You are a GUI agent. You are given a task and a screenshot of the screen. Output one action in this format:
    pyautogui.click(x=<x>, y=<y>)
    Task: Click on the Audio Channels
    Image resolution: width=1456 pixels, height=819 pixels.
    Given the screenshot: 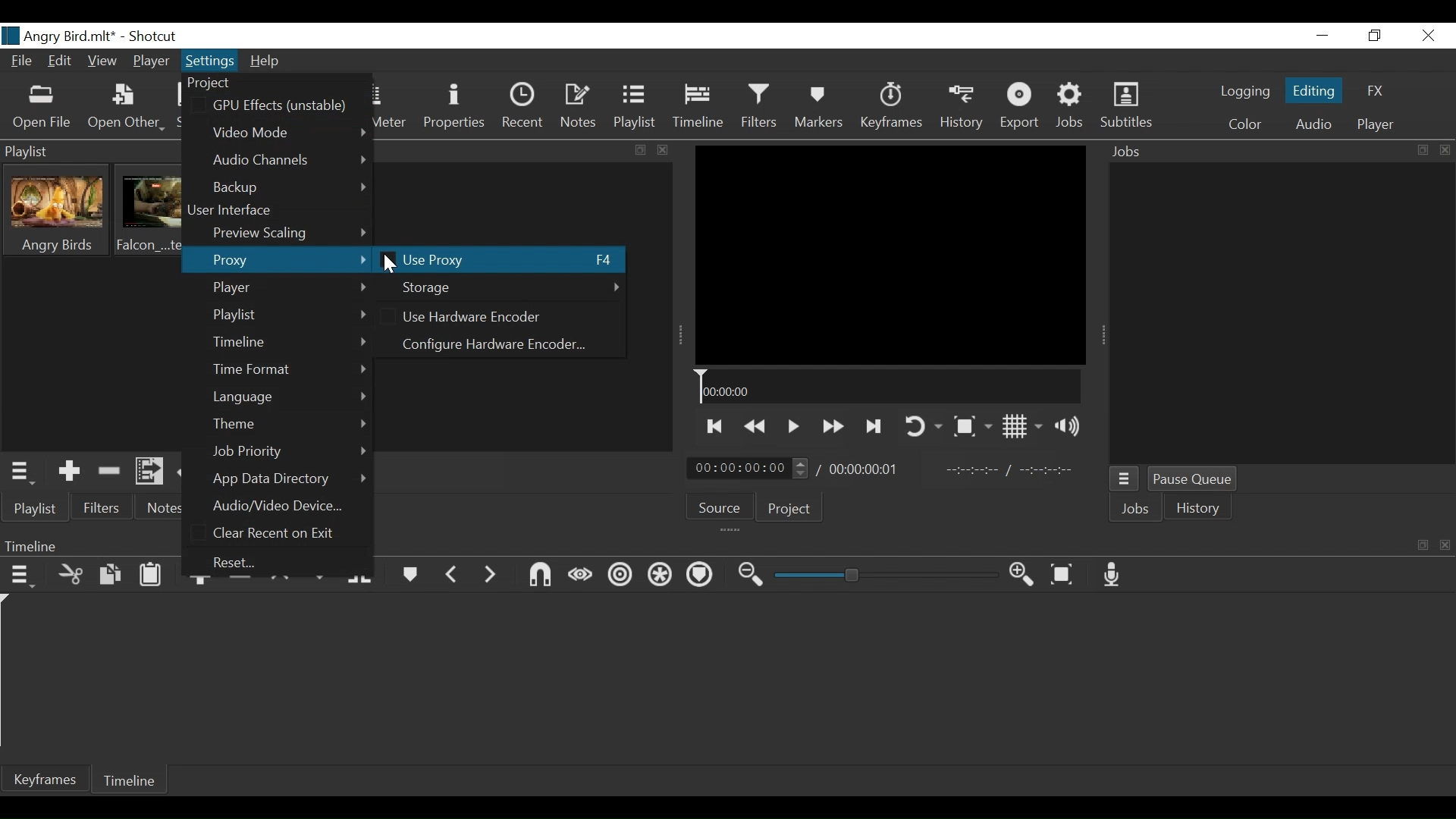 What is the action you would take?
    pyautogui.click(x=288, y=161)
    